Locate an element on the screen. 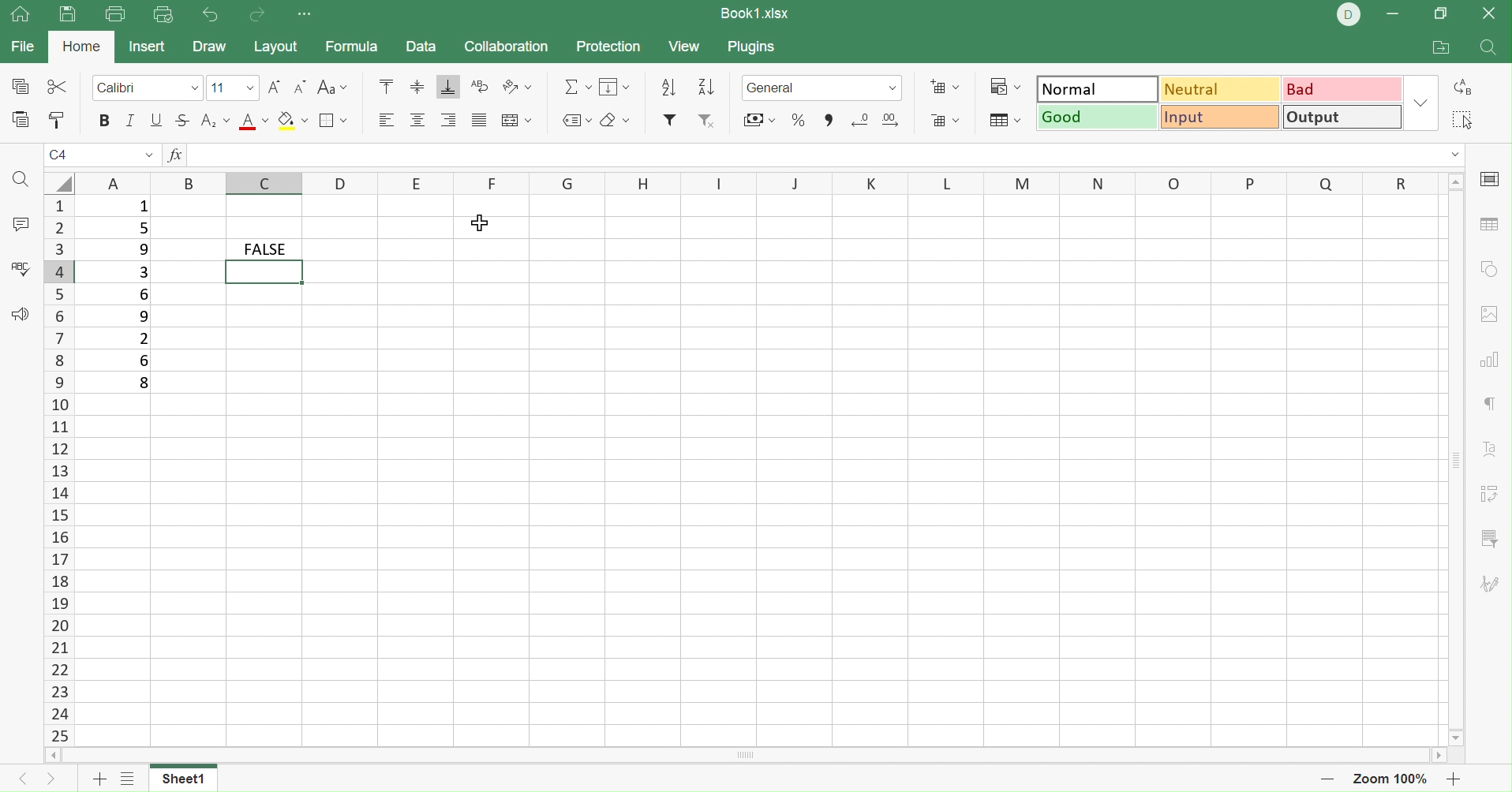 The height and width of the screenshot is (792, 1512). Align right is located at coordinates (449, 121).